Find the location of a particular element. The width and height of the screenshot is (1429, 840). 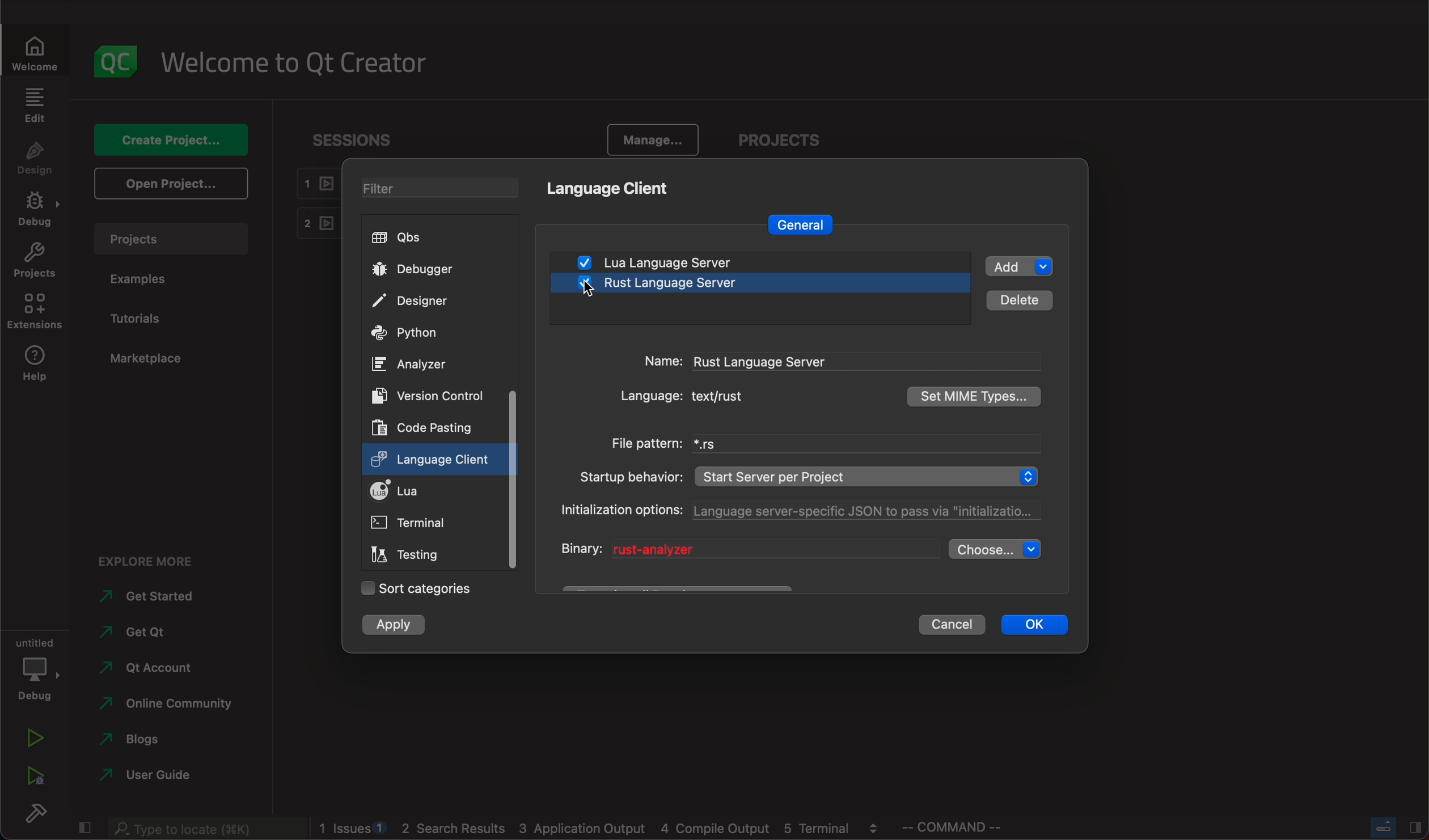

search bar is located at coordinates (202, 829).